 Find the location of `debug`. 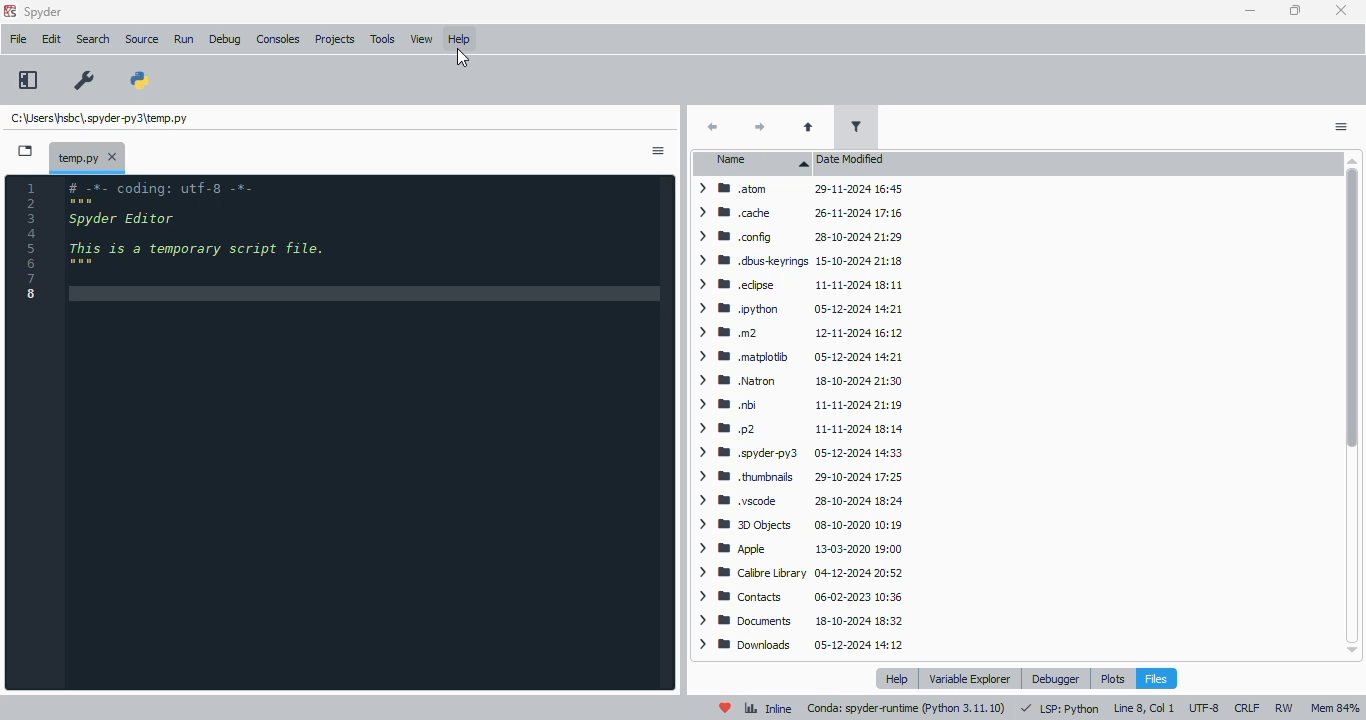

debug is located at coordinates (225, 39).